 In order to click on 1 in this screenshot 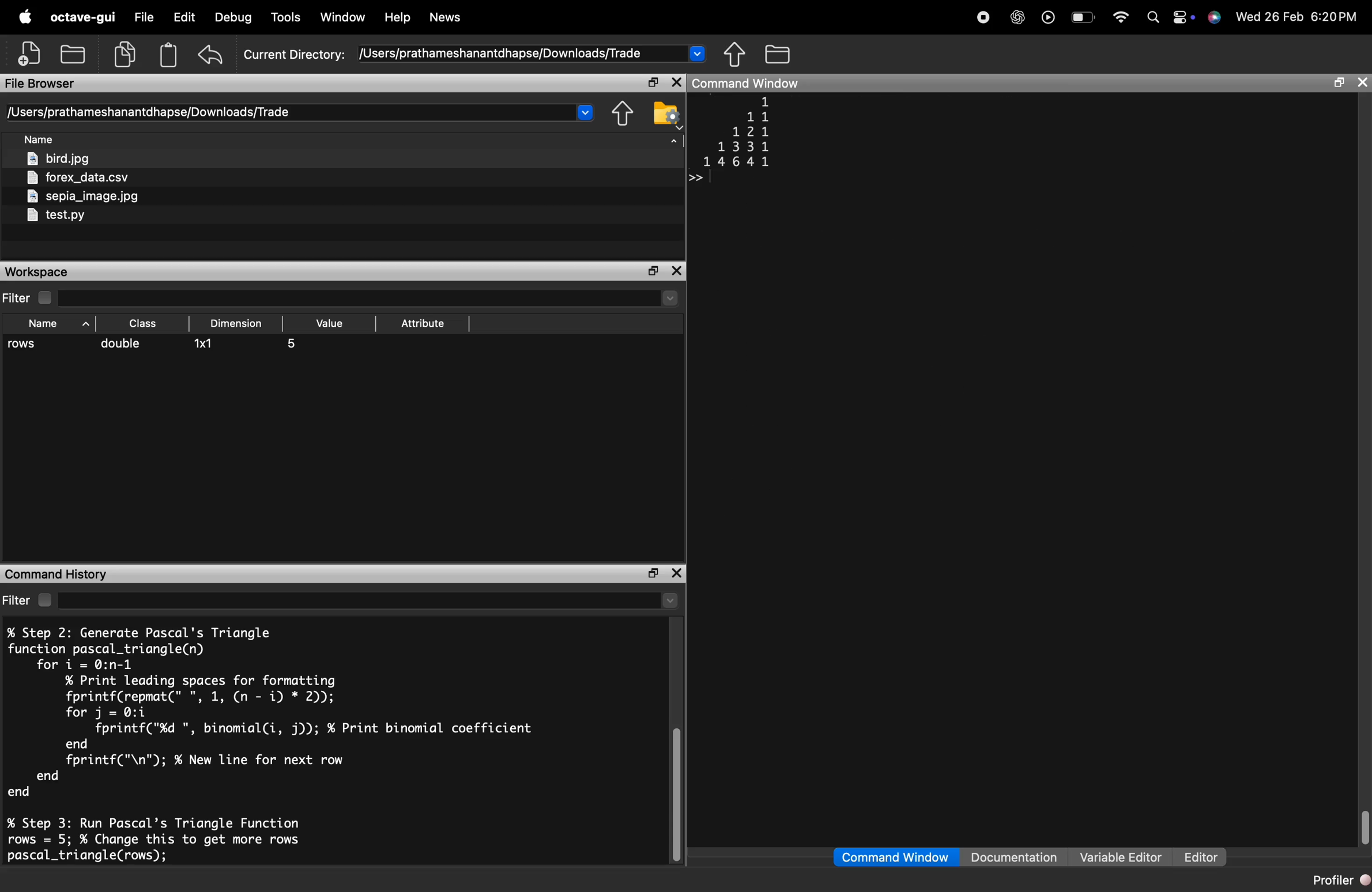, I will do `click(767, 101)`.